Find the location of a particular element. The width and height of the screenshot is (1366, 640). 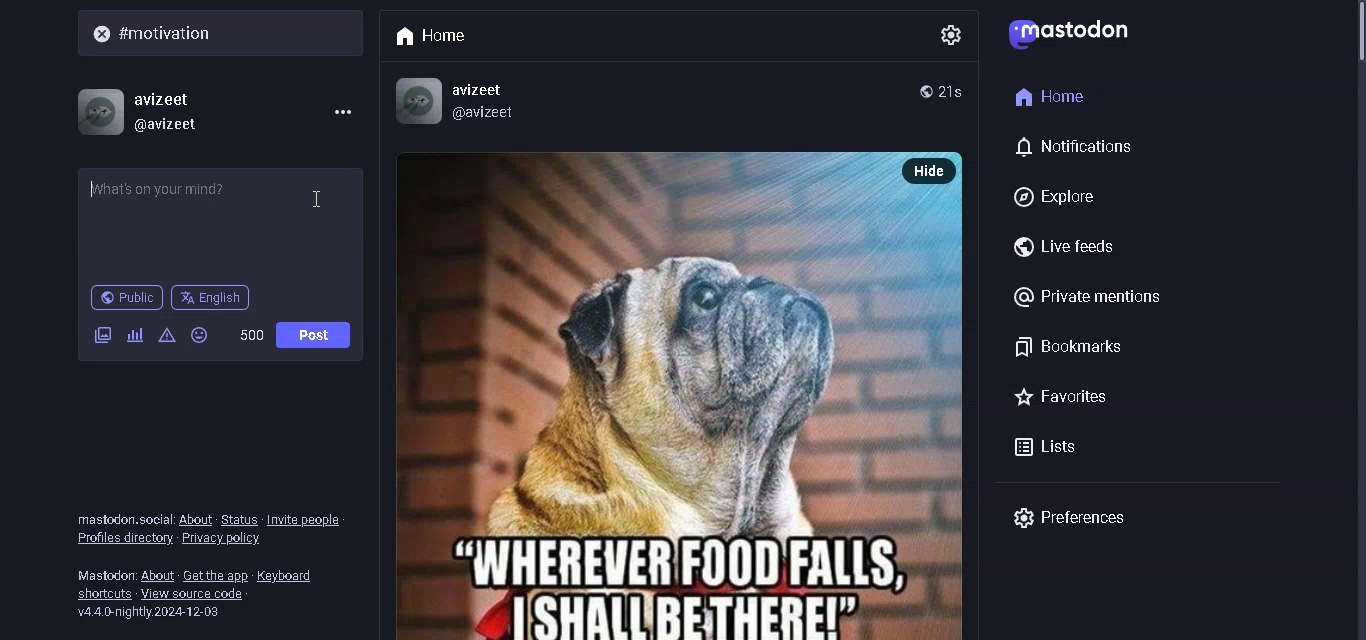

emojis is located at coordinates (201, 335).